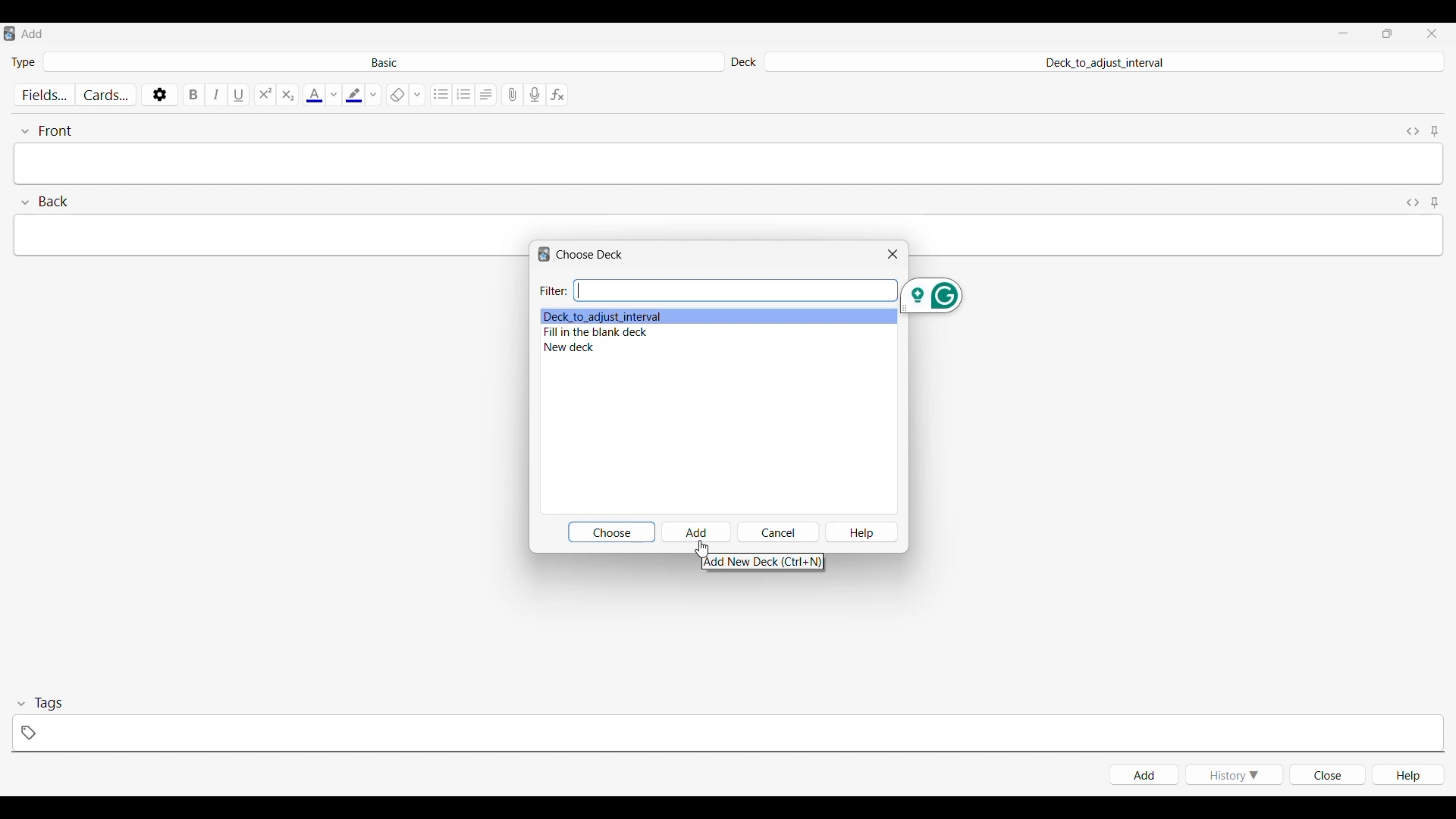 The height and width of the screenshot is (819, 1456). What do you see at coordinates (1144, 776) in the screenshot?
I see `` at bounding box center [1144, 776].